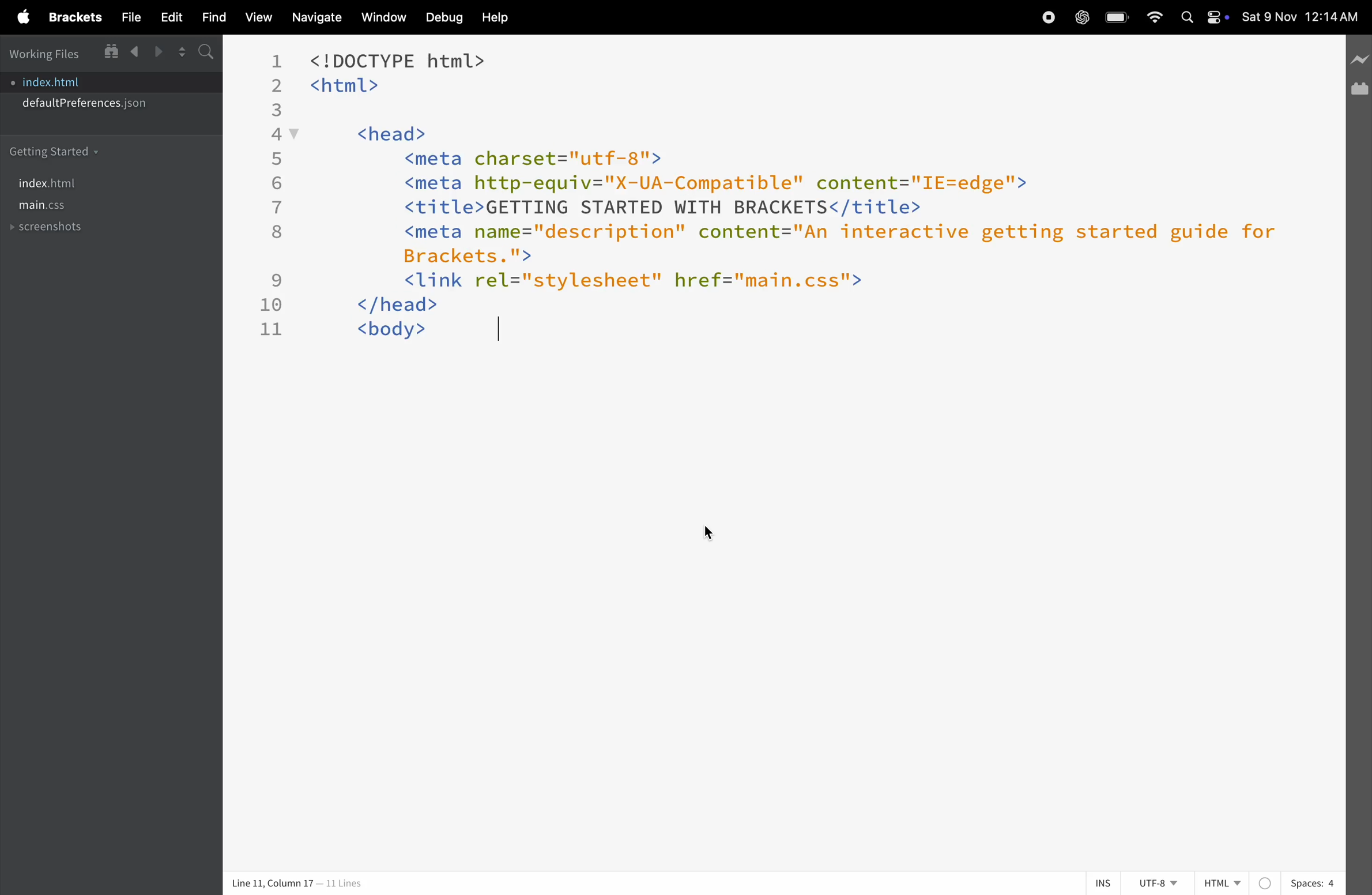 The width and height of the screenshot is (1372, 895). I want to click on ins, so click(1103, 883).